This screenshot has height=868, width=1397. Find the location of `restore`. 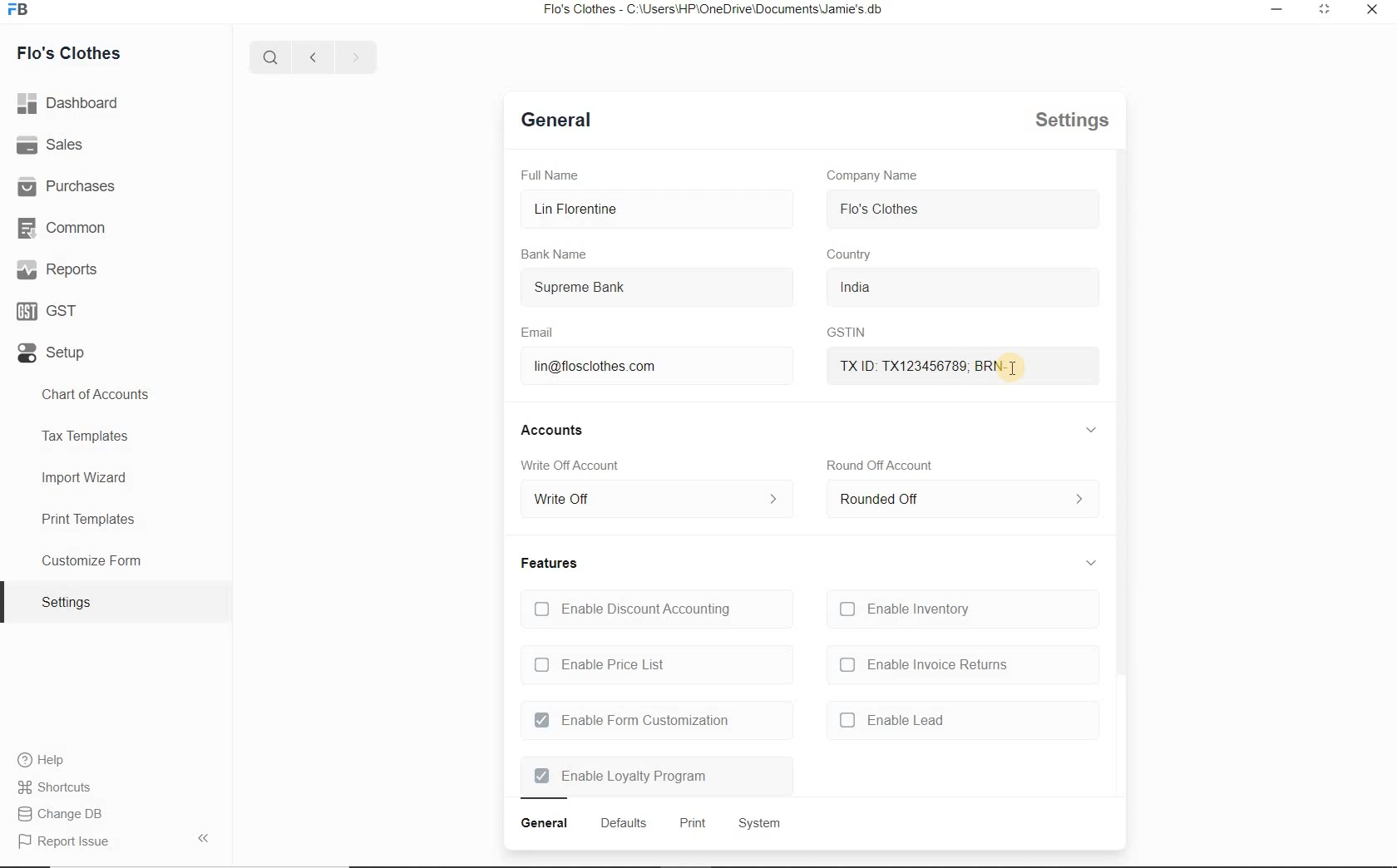

restore is located at coordinates (1279, 12).